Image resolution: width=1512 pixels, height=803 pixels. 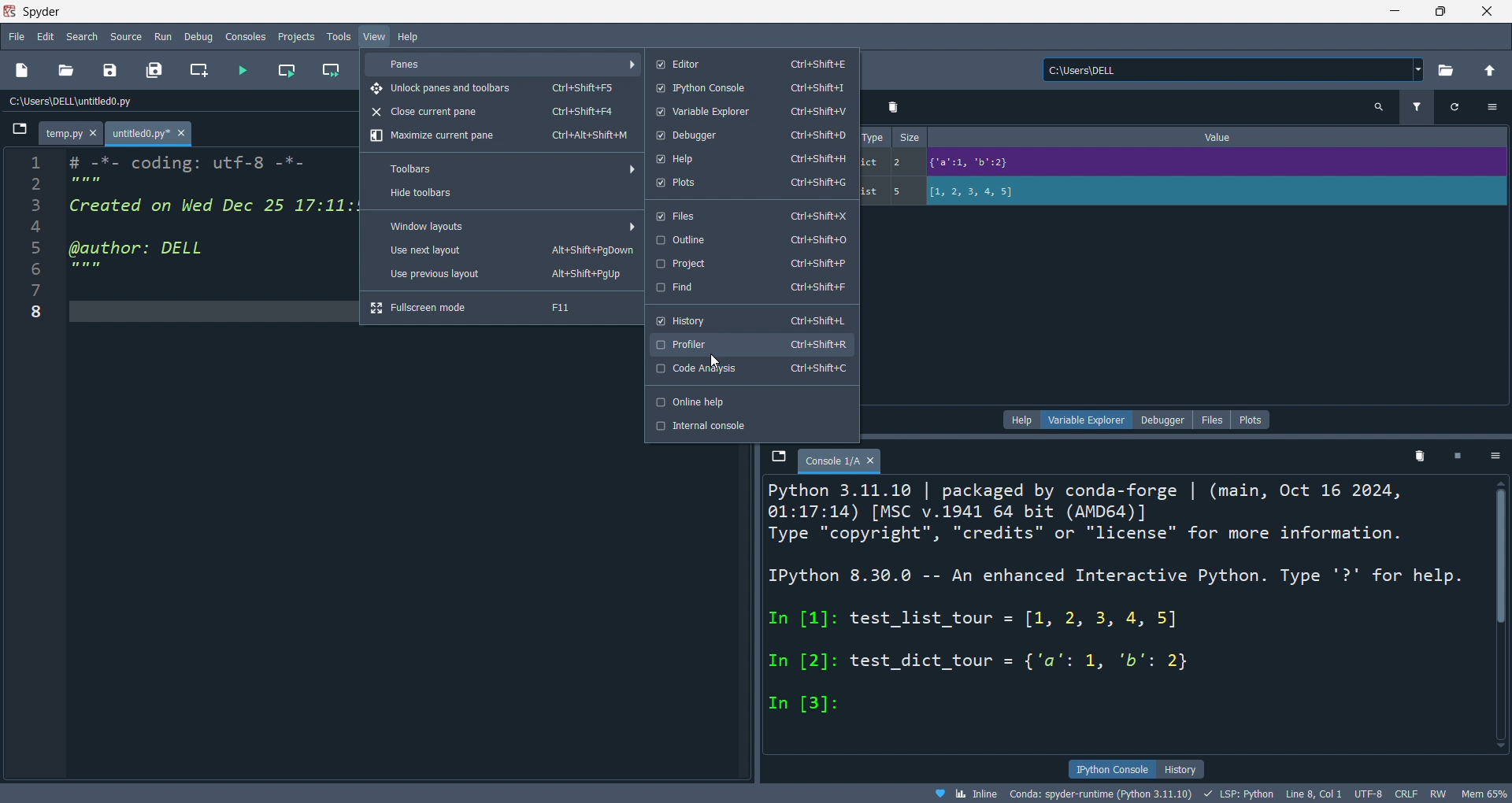 What do you see at coordinates (500, 196) in the screenshot?
I see `hide toolbars` at bounding box center [500, 196].